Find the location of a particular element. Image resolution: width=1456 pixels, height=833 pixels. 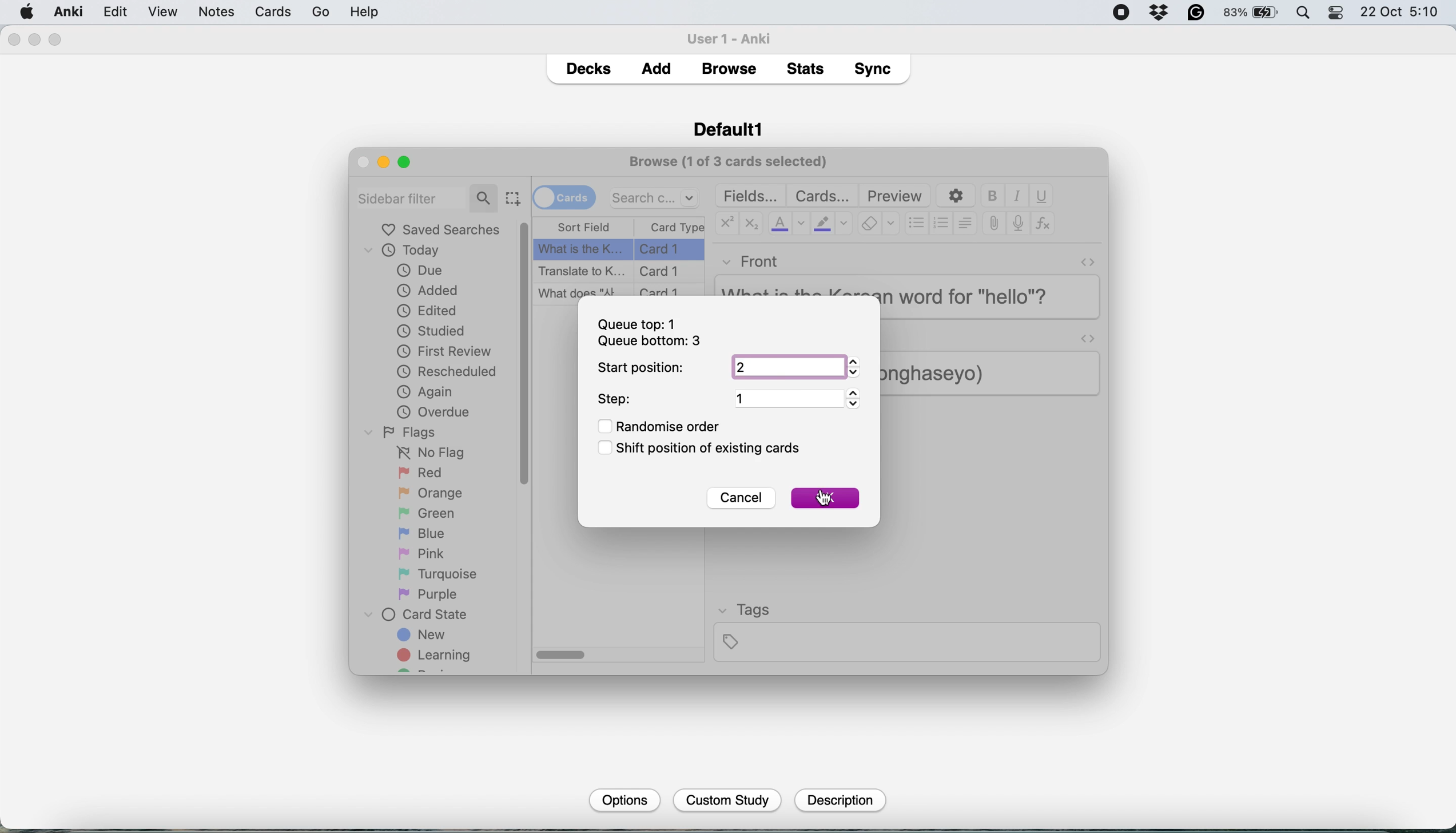

Front is located at coordinates (751, 259).